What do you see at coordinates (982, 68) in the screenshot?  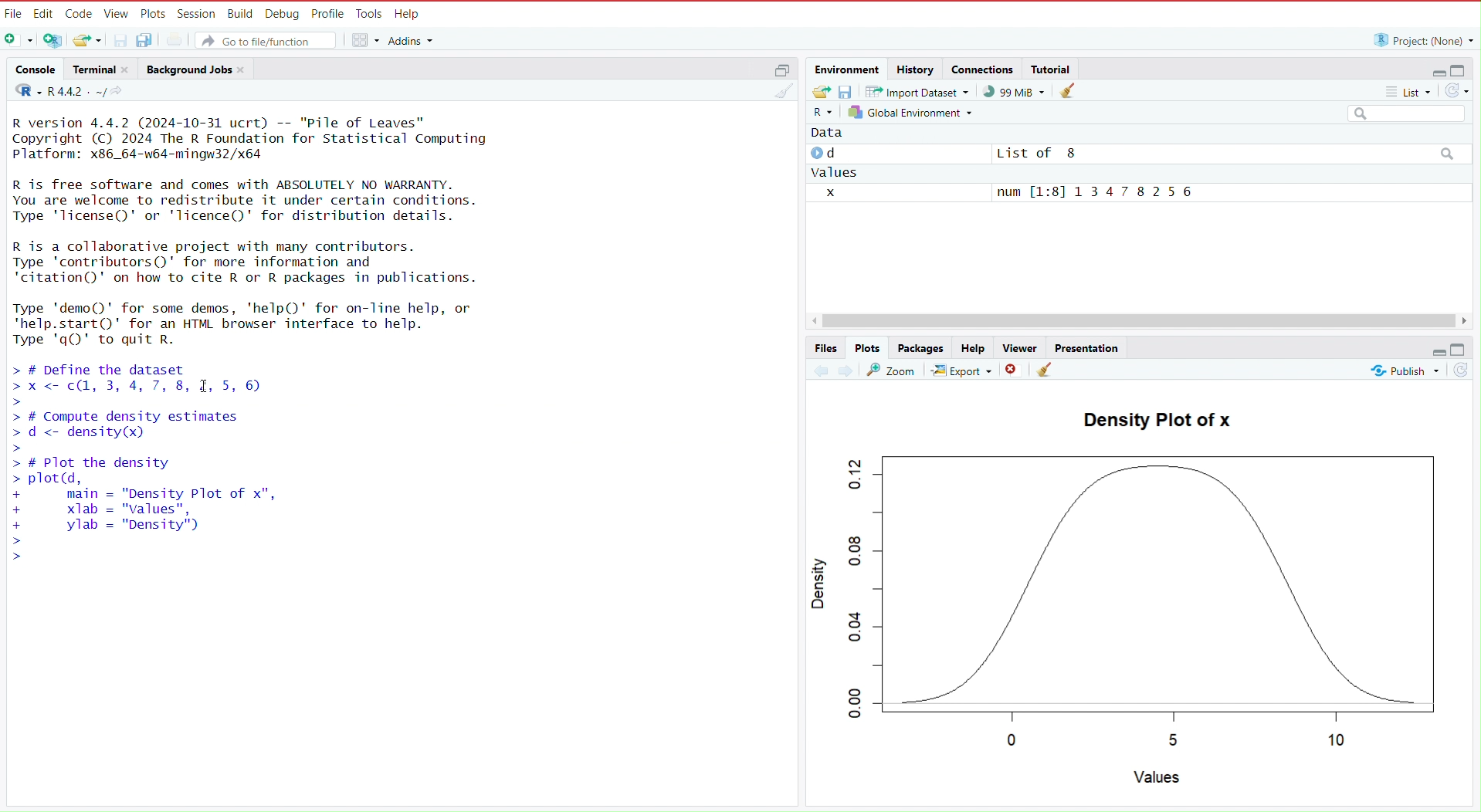 I see `connections` at bounding box center [982, 68].